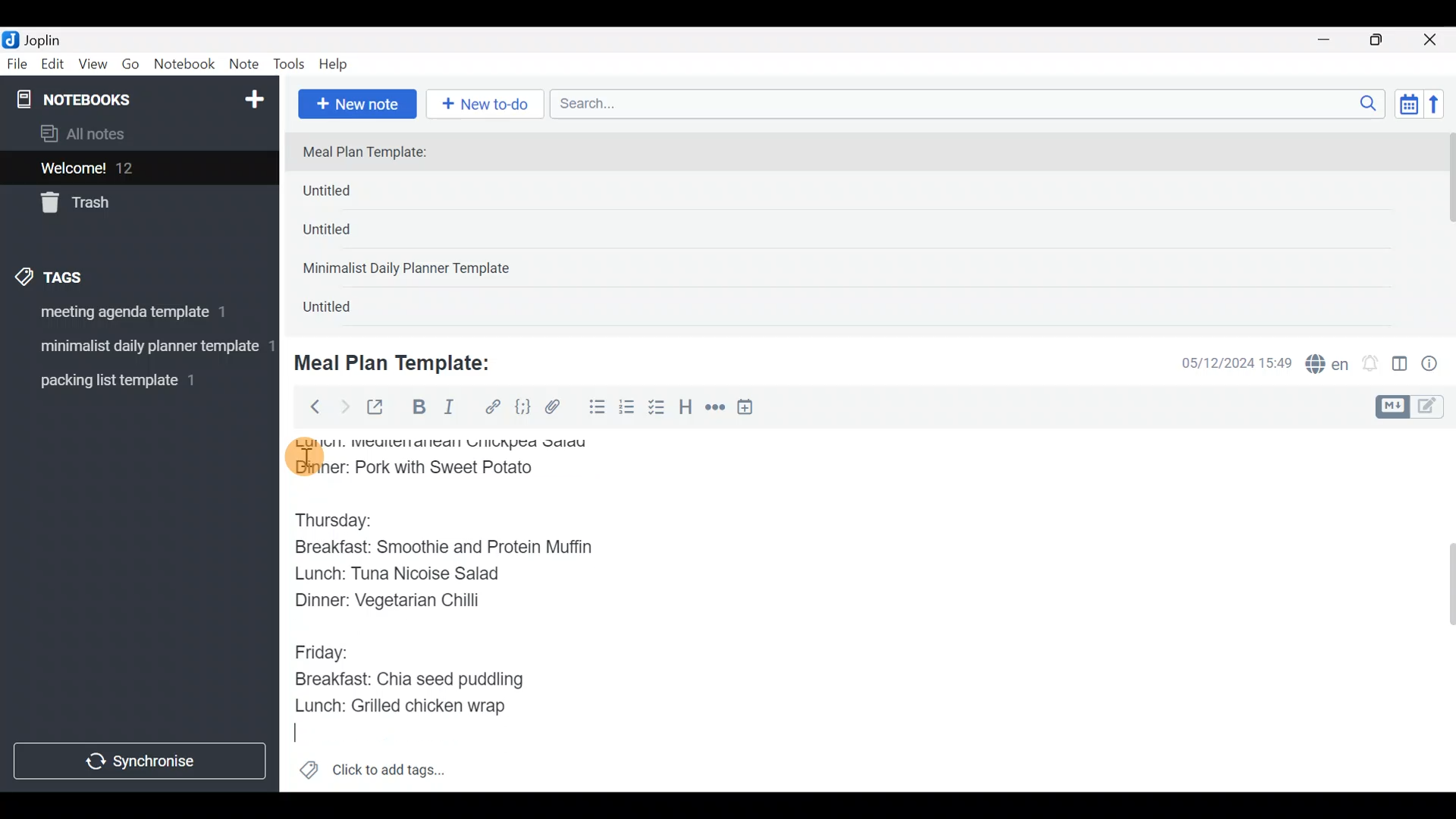 The width and height of the screenshot is (1456, 819). I want to click on Dinner: Vegetarian Chilli, so click(401, 604).